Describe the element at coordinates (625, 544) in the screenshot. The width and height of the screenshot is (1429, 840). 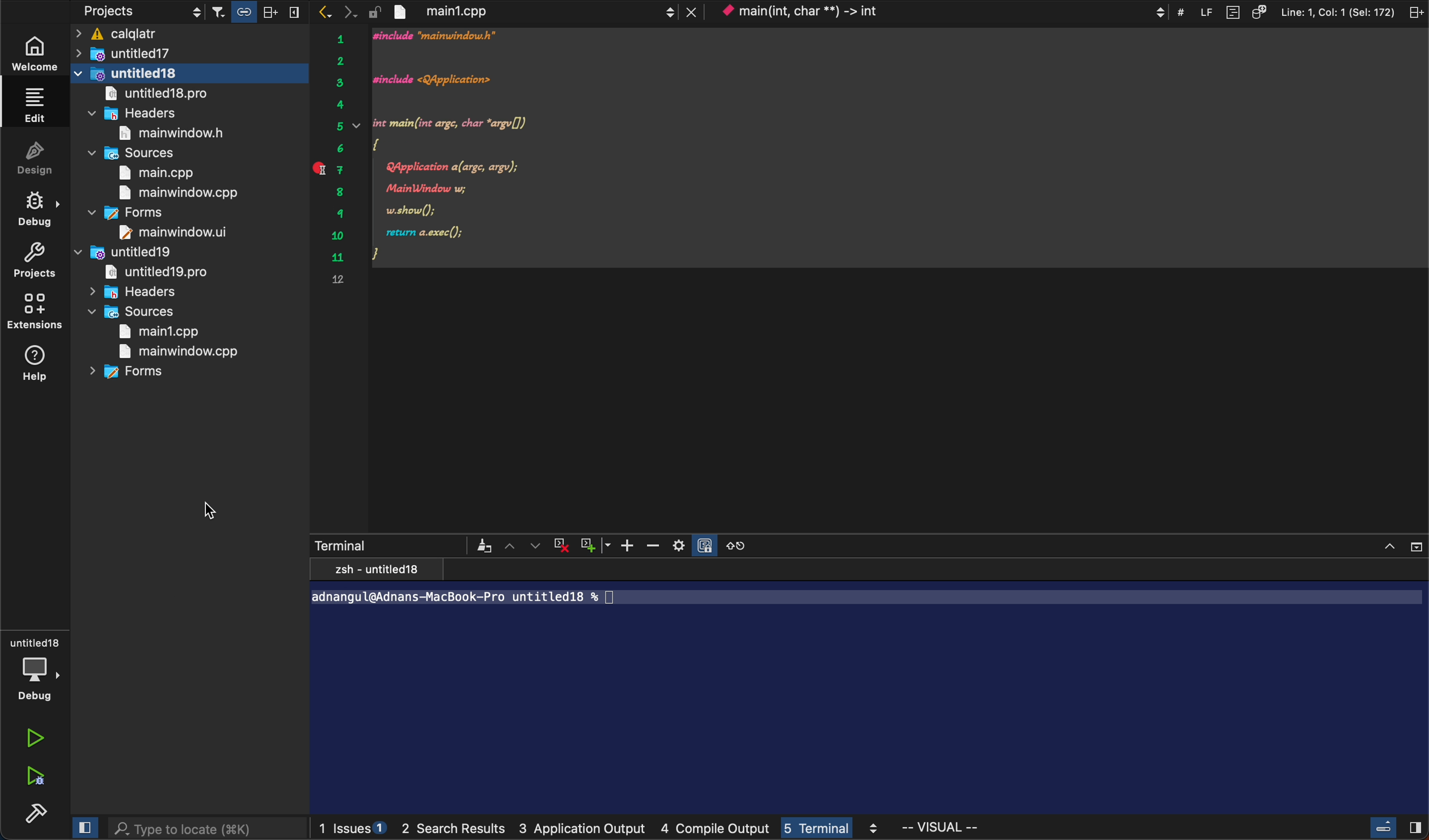
I see `zoom in` at that location.